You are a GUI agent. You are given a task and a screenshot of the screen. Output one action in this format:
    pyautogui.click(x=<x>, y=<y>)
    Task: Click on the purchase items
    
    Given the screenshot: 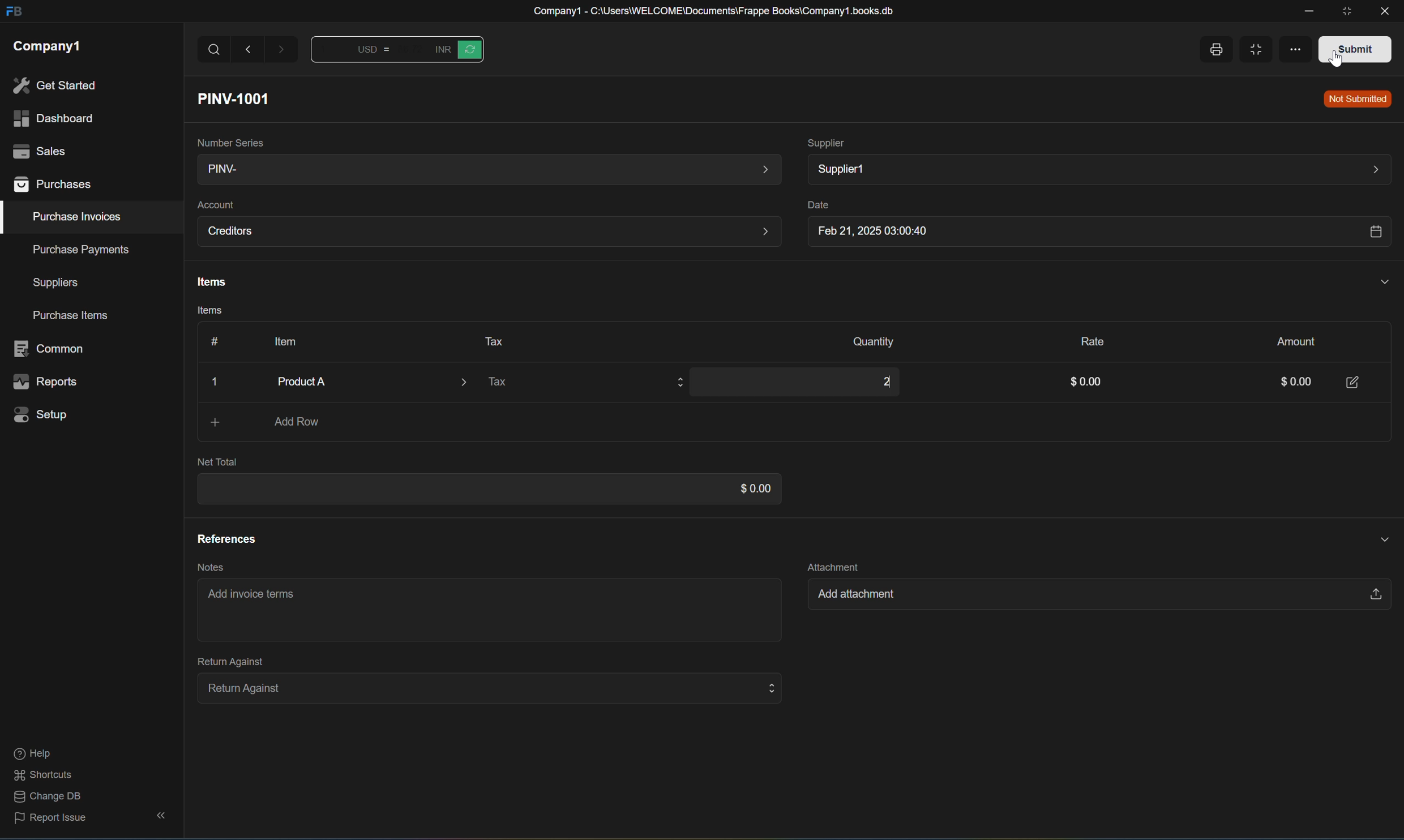 What is the action you would take?
    pyautogui.click(x=73, y=316)
    